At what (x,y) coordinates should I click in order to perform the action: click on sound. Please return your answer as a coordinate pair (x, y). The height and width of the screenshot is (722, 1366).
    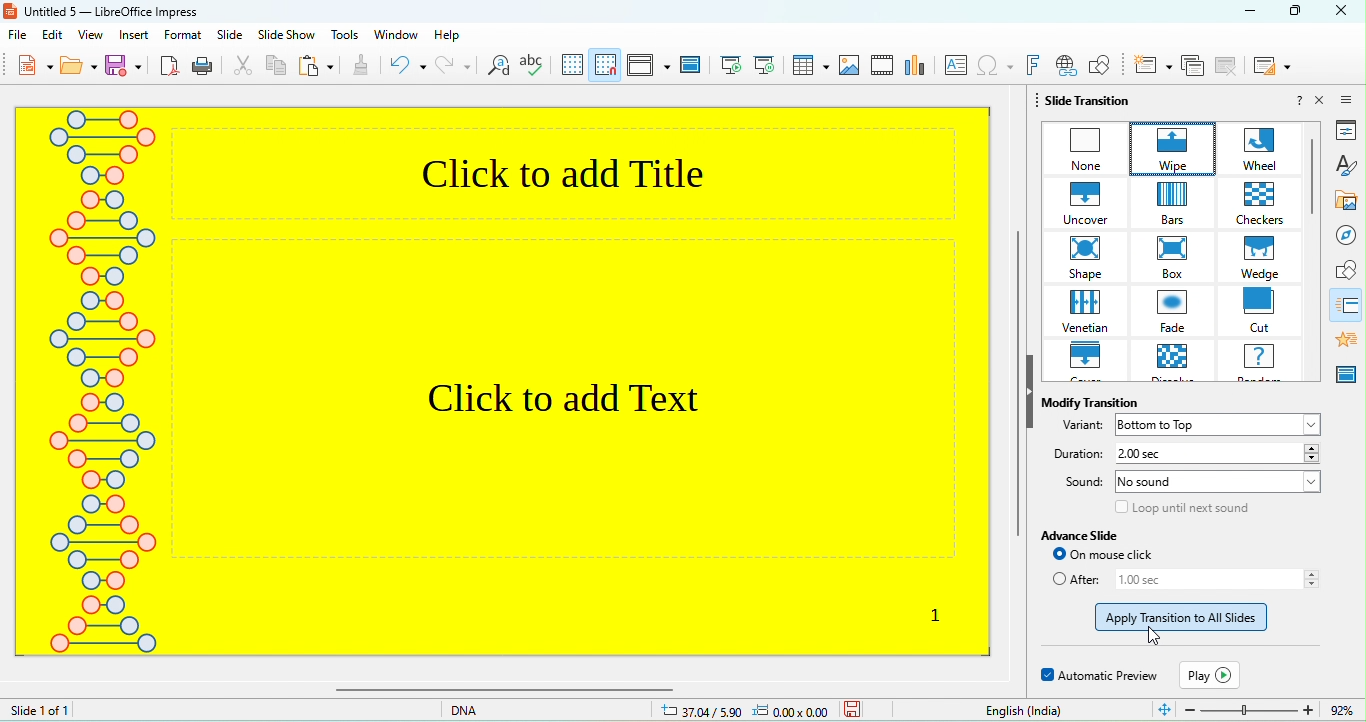
    Looking at the image, I should click on (1080, 484).